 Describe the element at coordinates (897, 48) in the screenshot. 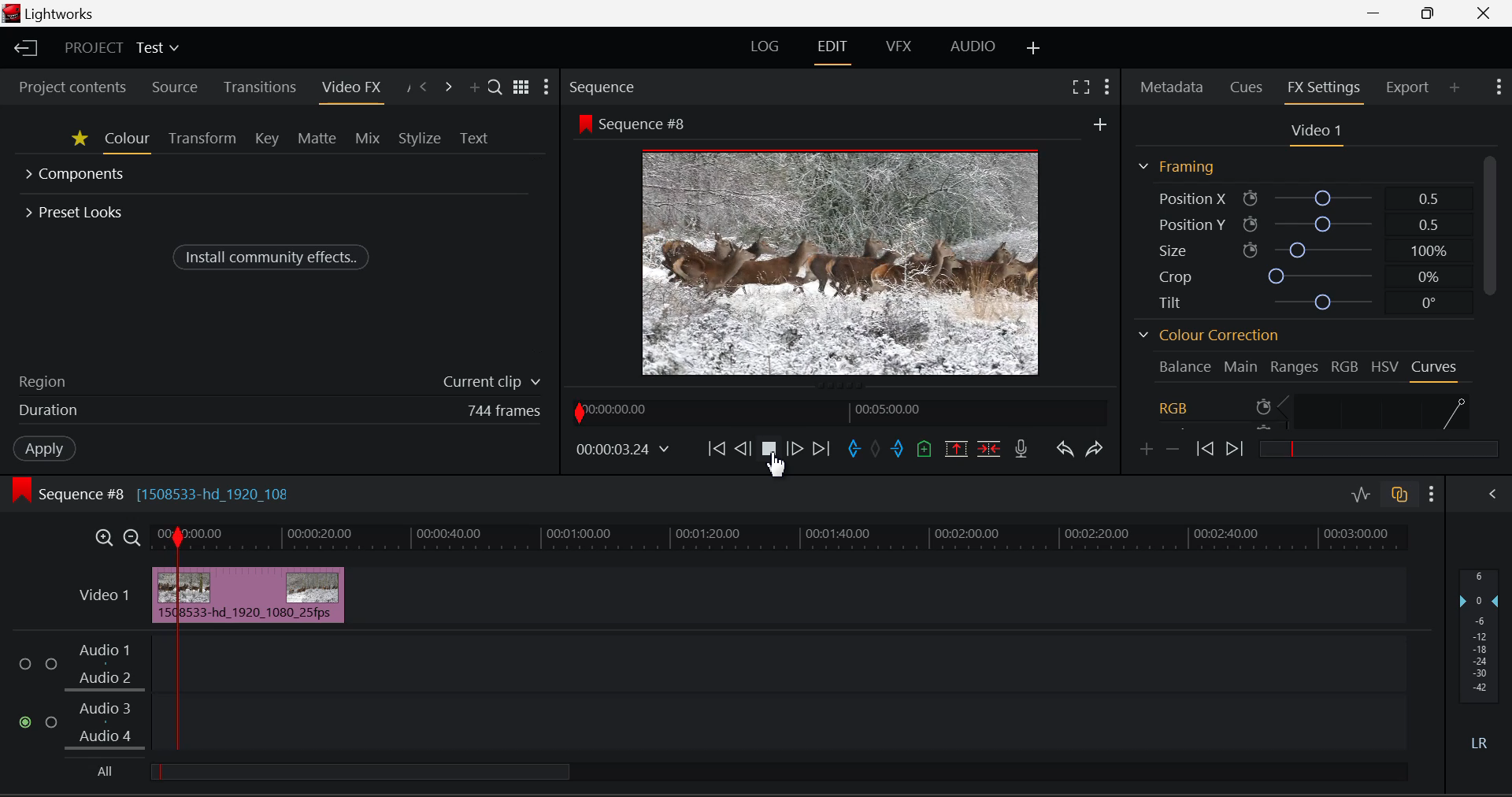

I see `VFX Layout` at that location.